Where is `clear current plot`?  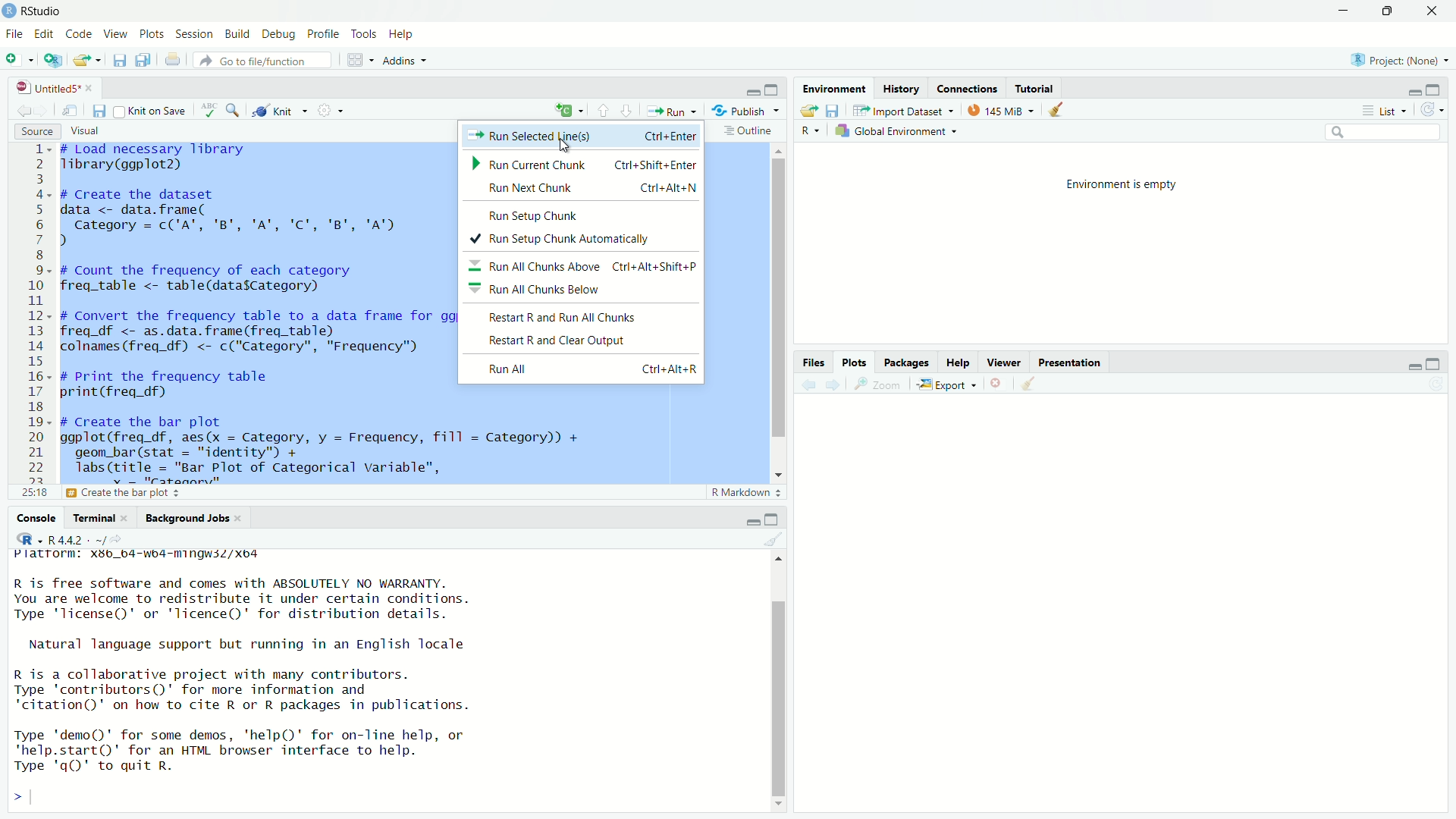 clear current plot is located at coordinates (997, 383).